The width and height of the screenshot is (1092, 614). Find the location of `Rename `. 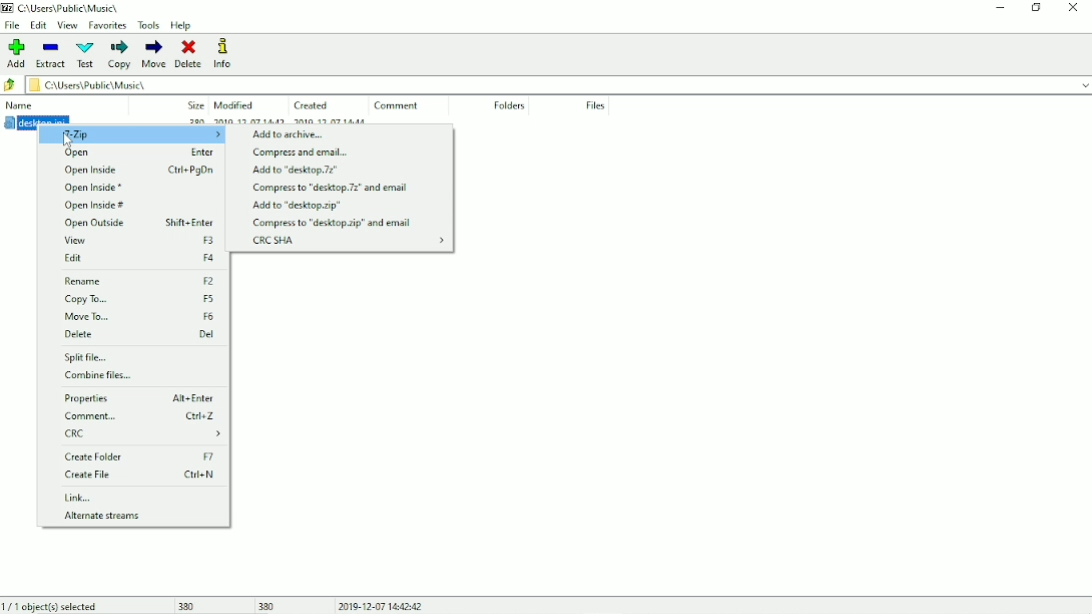

Rename  is located at coordinates (141, 281).